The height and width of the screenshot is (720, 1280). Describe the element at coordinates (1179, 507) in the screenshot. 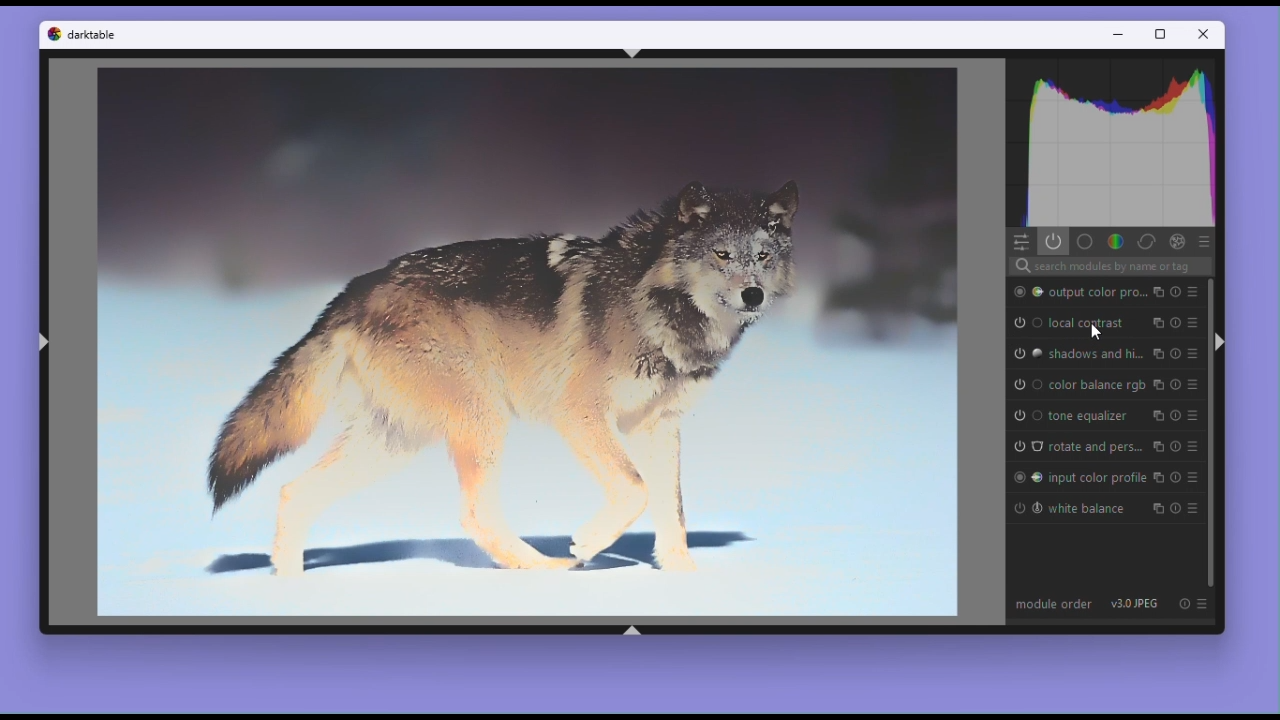

I see `Reset parameters` at that location.